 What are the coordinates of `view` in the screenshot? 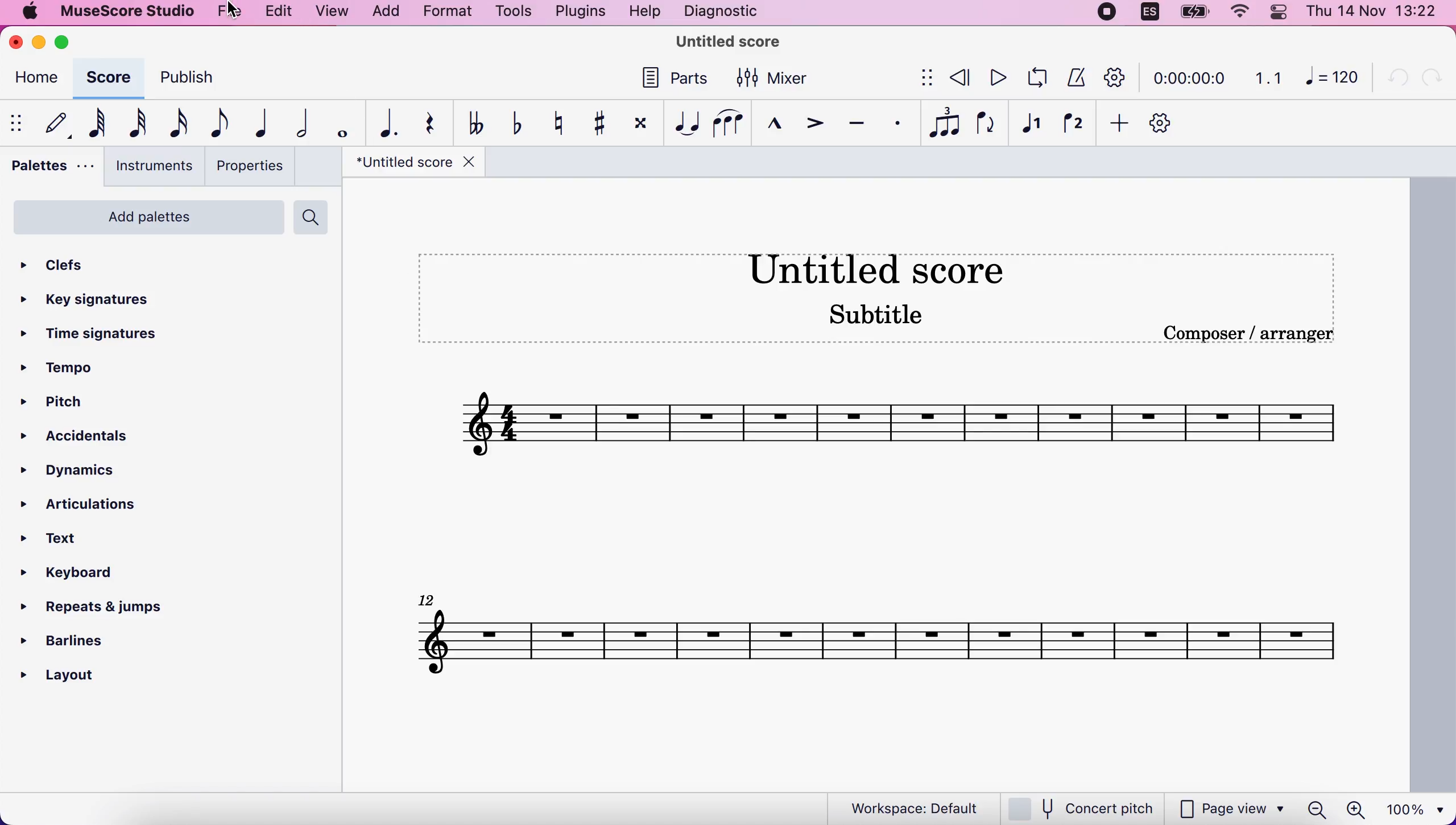 It's located at (329, 14).